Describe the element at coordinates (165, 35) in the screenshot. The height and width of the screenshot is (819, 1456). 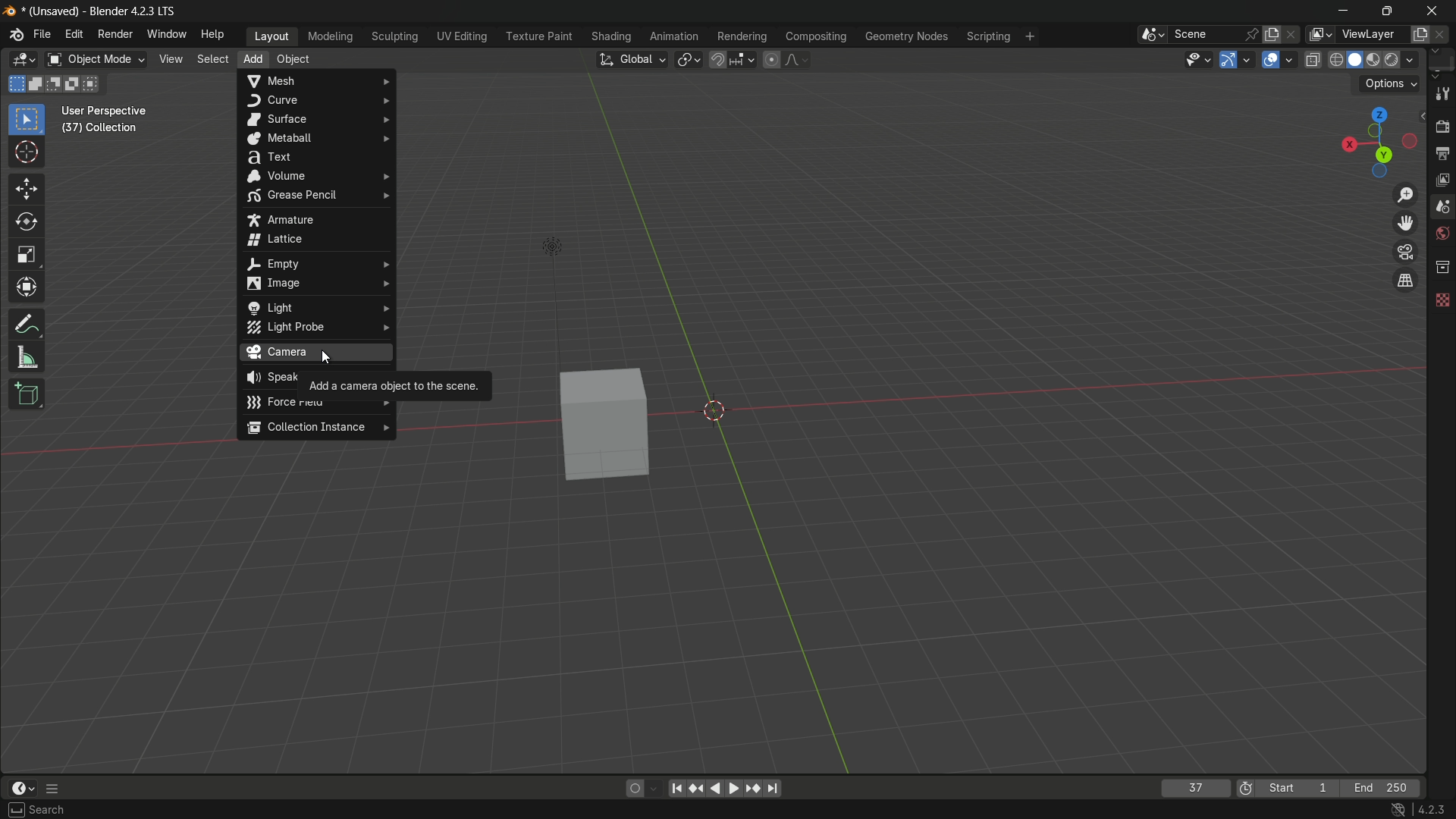
I see `window menu` at that location.